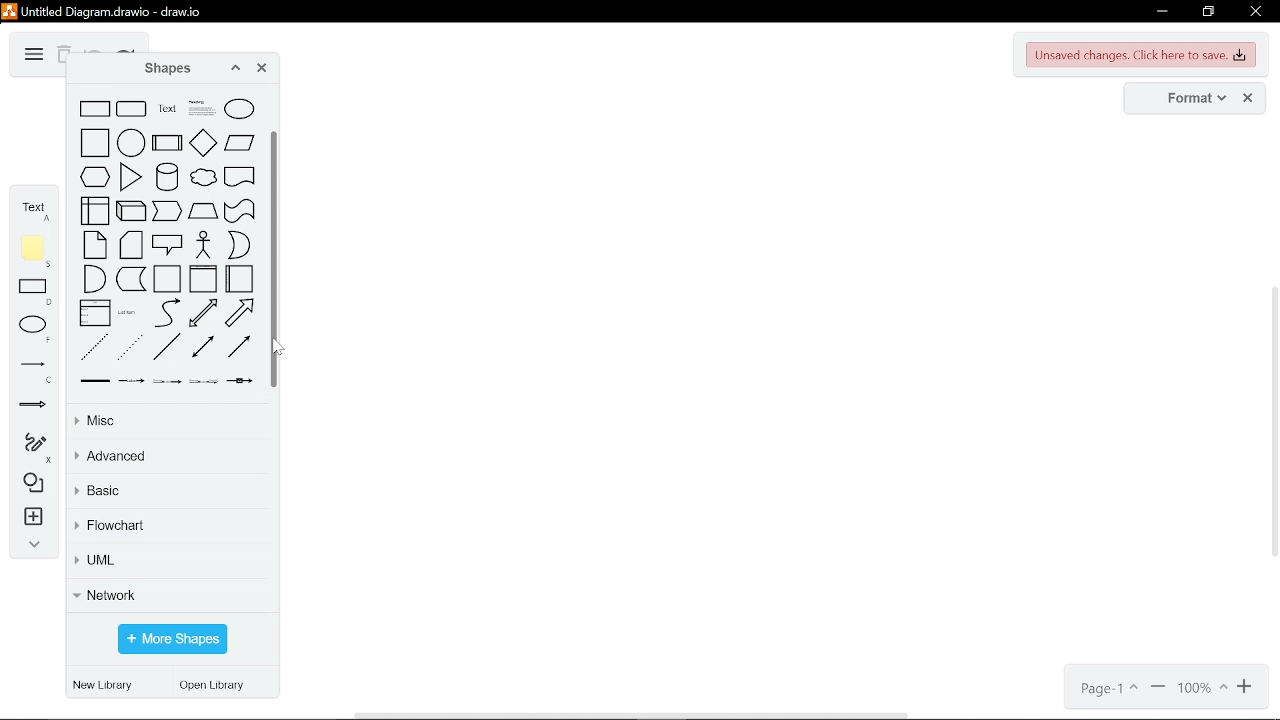 This screenshot has height=720, width=1280. What do you see at coordinates (131, 142) in the screenshot?
I see `circle` at bounding box center [131, 142].